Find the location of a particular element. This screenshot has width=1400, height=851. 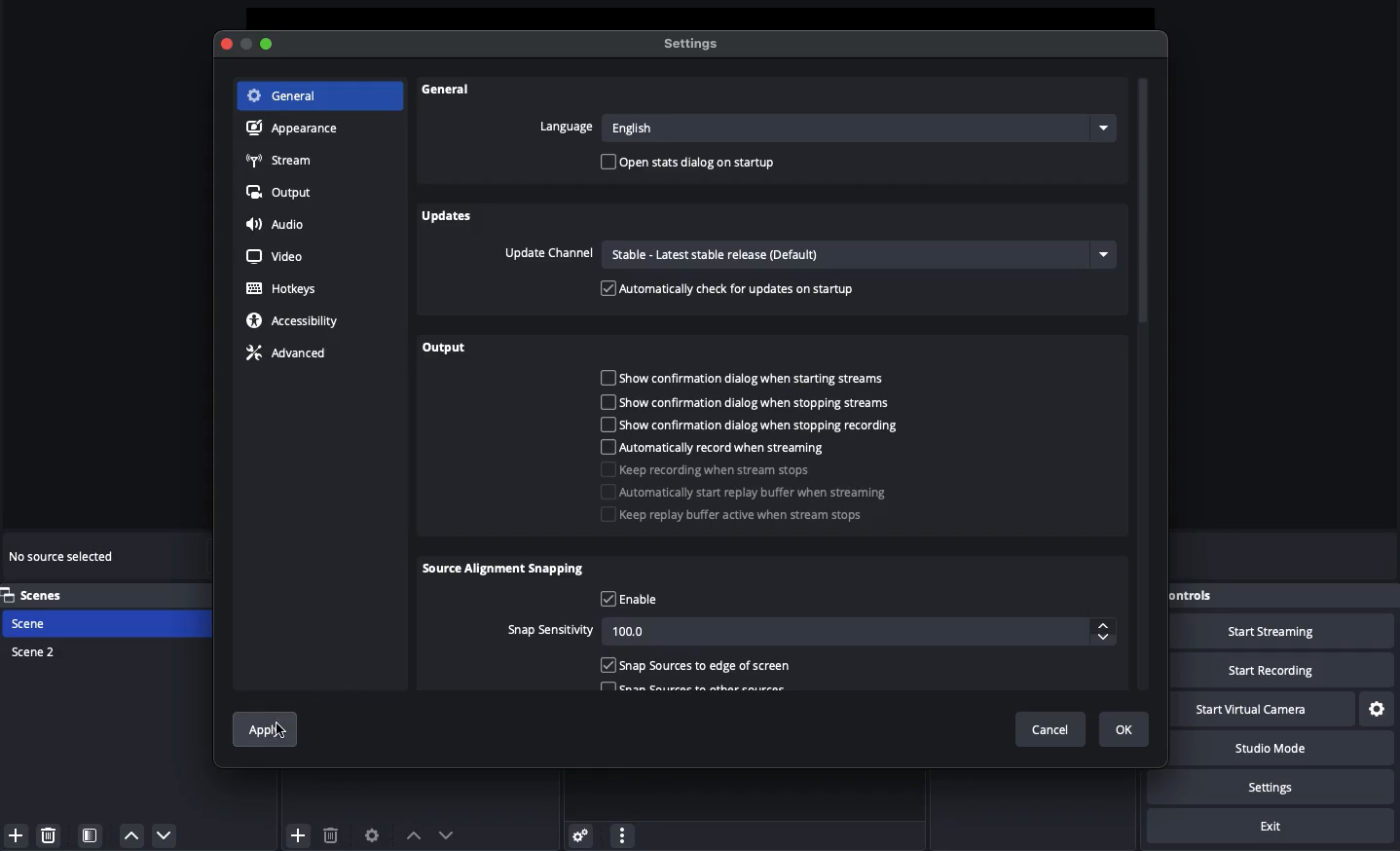

Automatically check for update on startup is located at coordinates (730, 288).